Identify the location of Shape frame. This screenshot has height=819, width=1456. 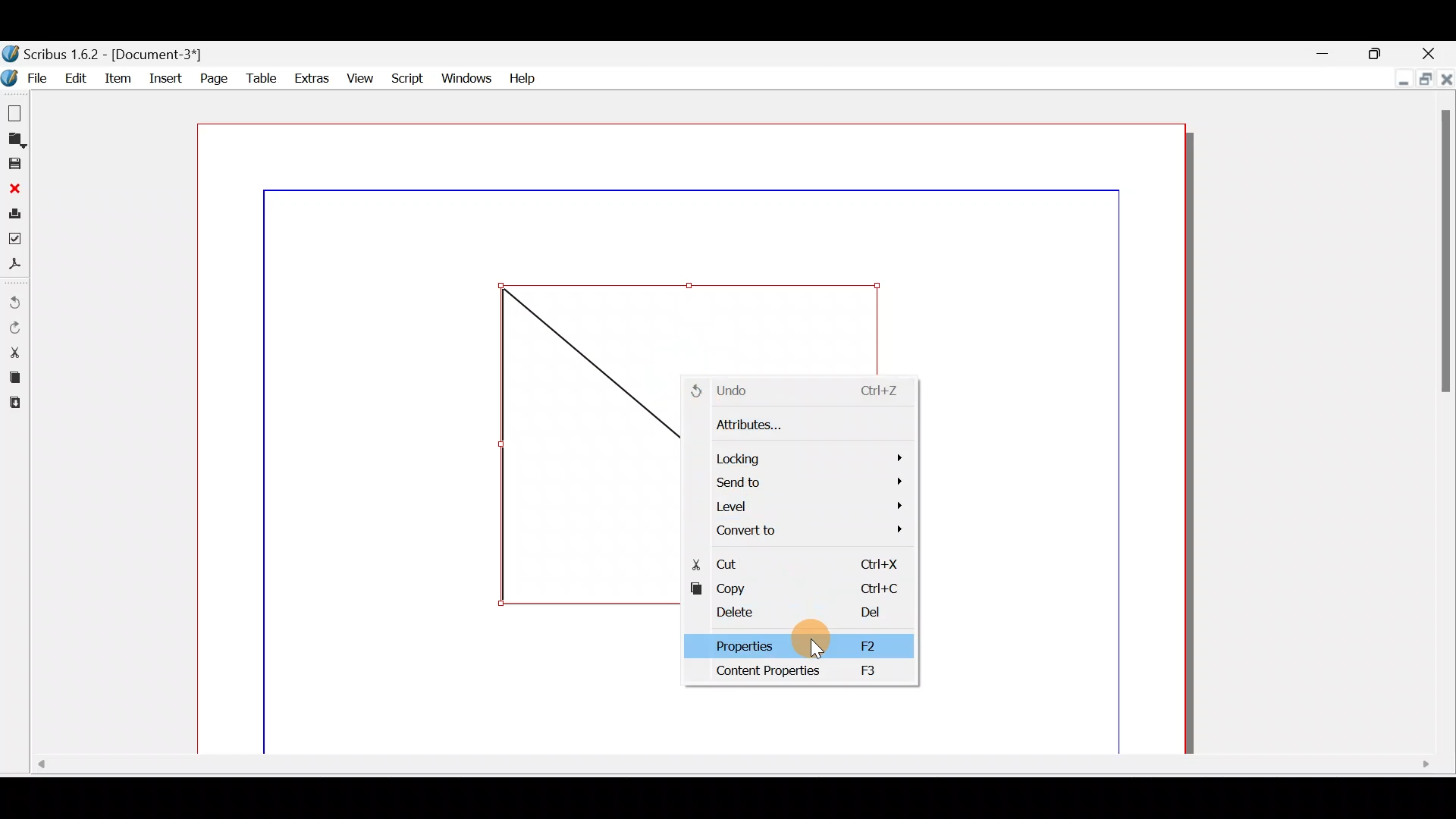
(580, 447).